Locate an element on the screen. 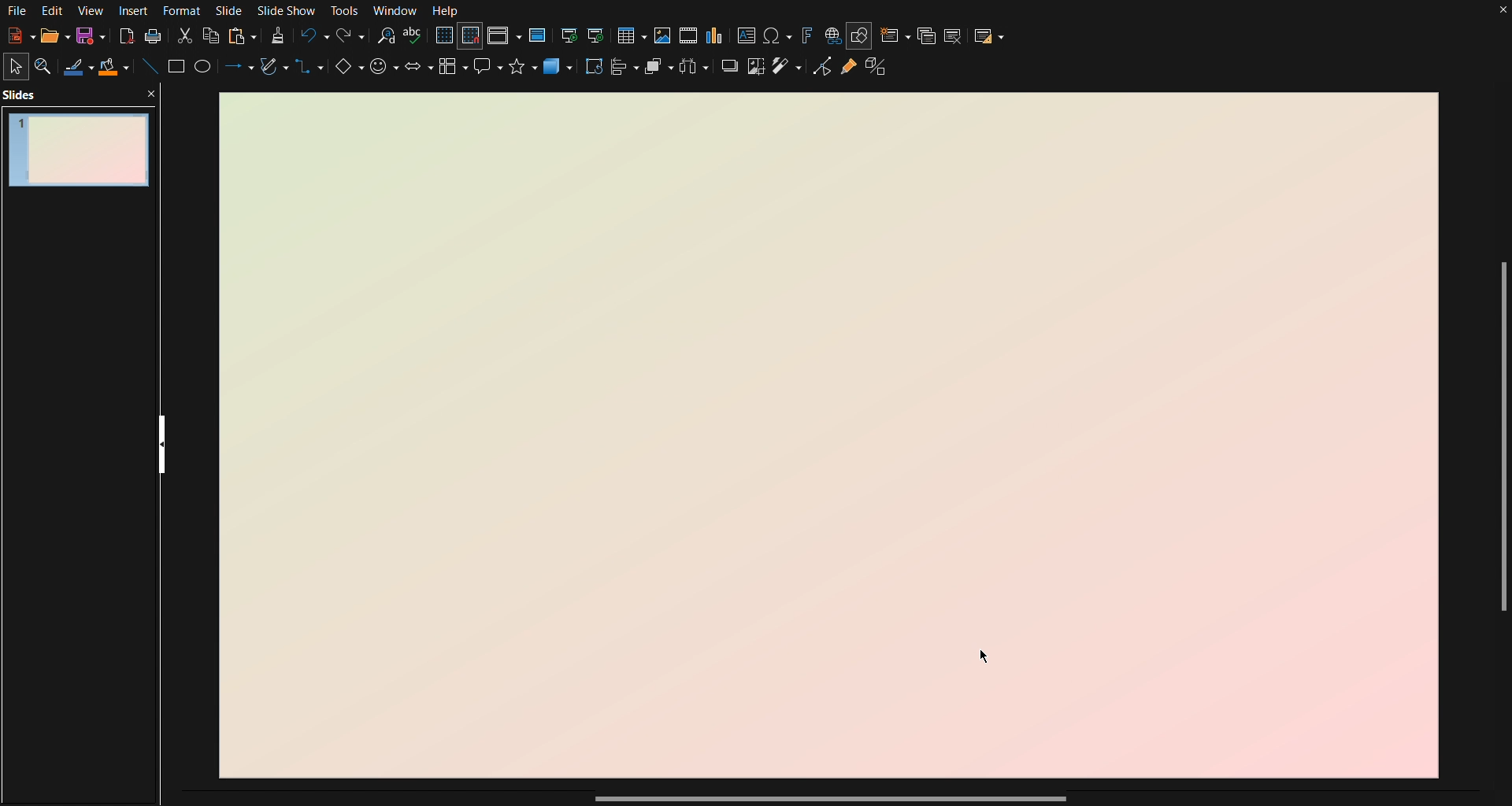  Insert hyperlink is located at coordinates (832, 35).